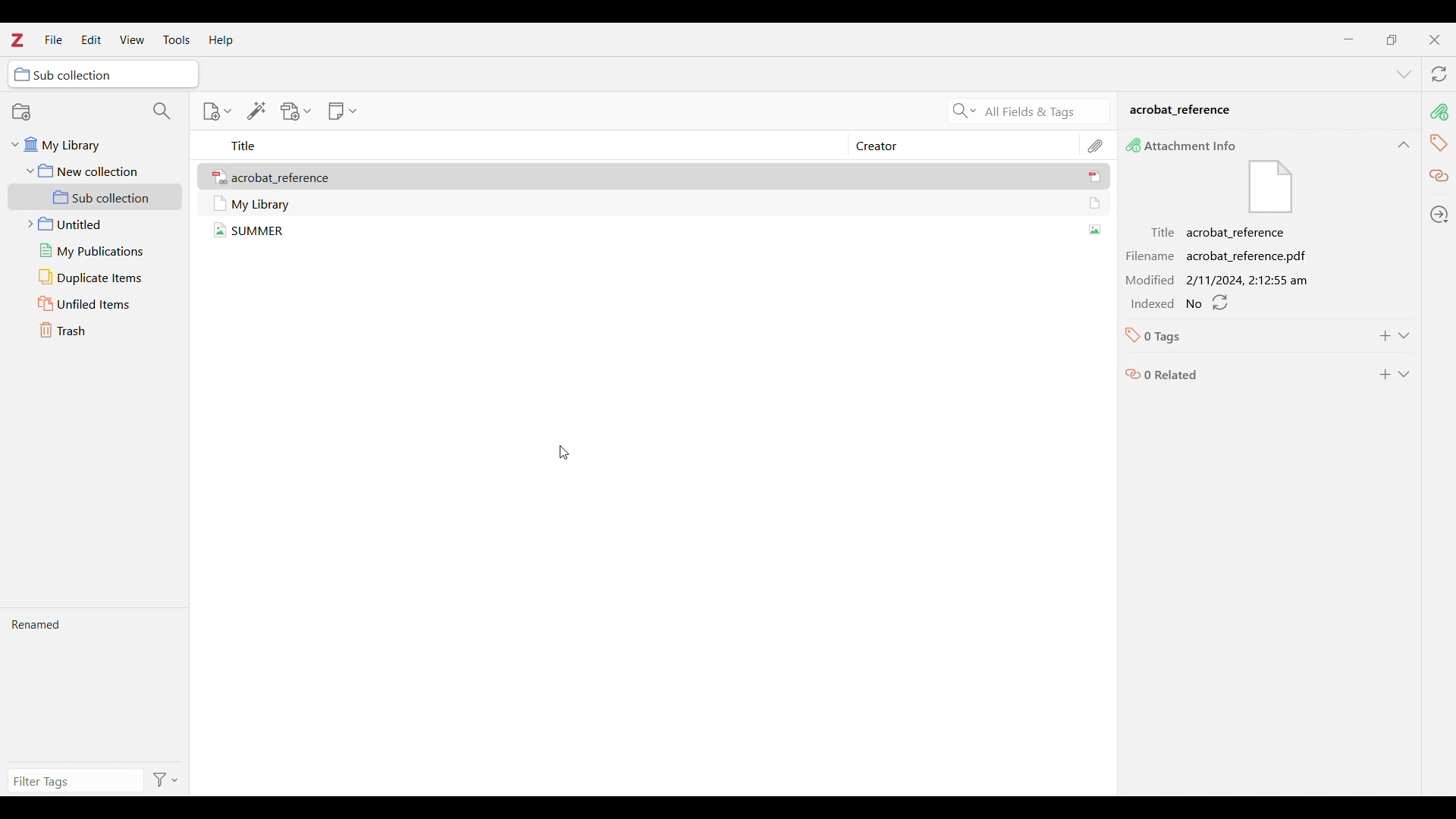 This screenshot has width=1456, height=819. Describe the element at coordinates (1221, 255) in the screenshot. I see `Filename acrobat reference.pdf` at that location.